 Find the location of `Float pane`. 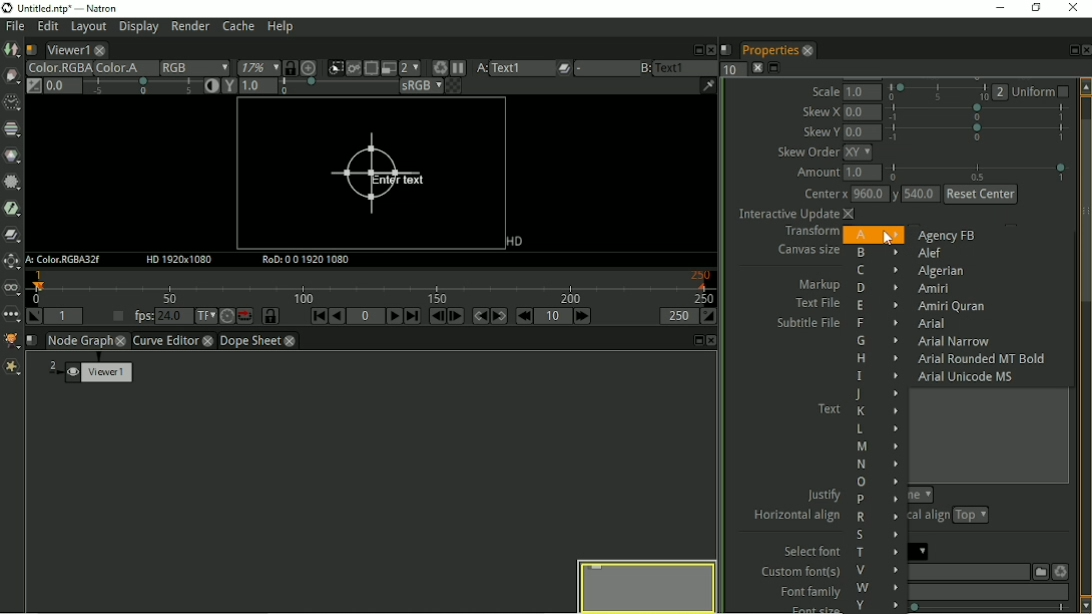

Float pane is located at coordinates (696, 340).